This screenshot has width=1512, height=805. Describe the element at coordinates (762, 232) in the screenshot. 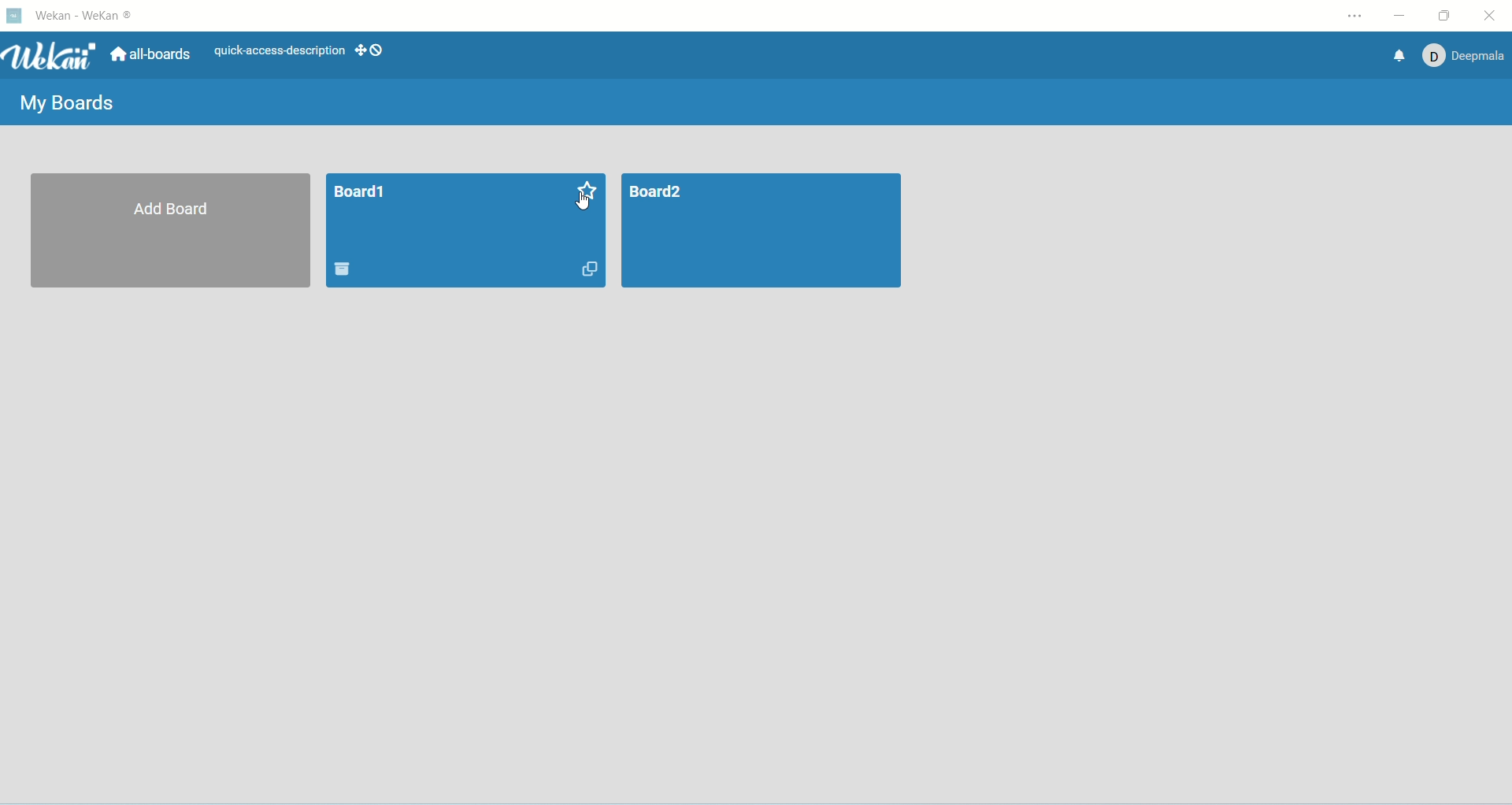

I see `board2` at that location.